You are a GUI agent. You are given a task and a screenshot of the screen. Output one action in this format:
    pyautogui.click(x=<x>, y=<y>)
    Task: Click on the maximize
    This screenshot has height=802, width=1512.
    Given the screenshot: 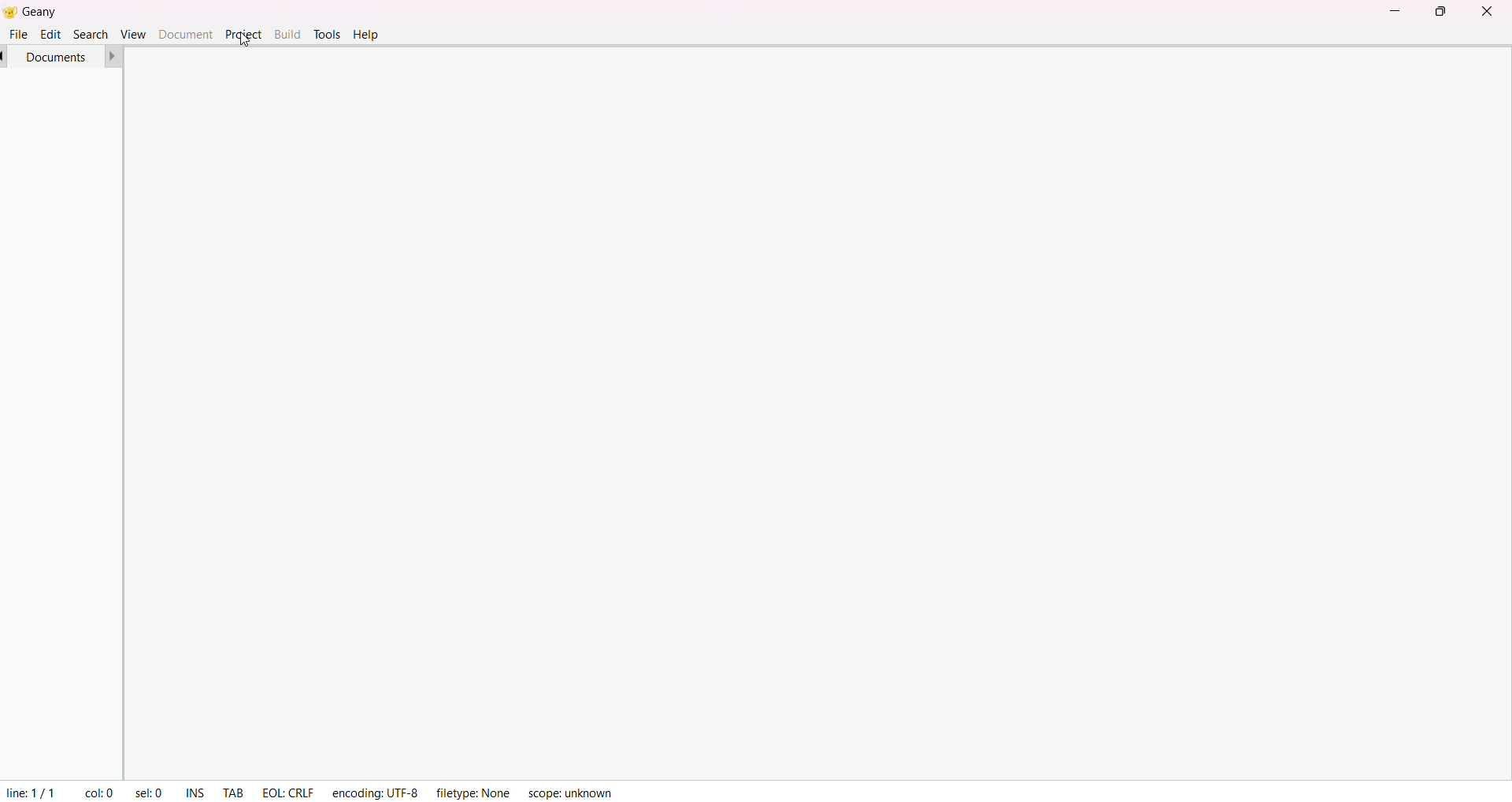 What is the action you would take?
    pyautogui.click(x=1440, y=12)
    